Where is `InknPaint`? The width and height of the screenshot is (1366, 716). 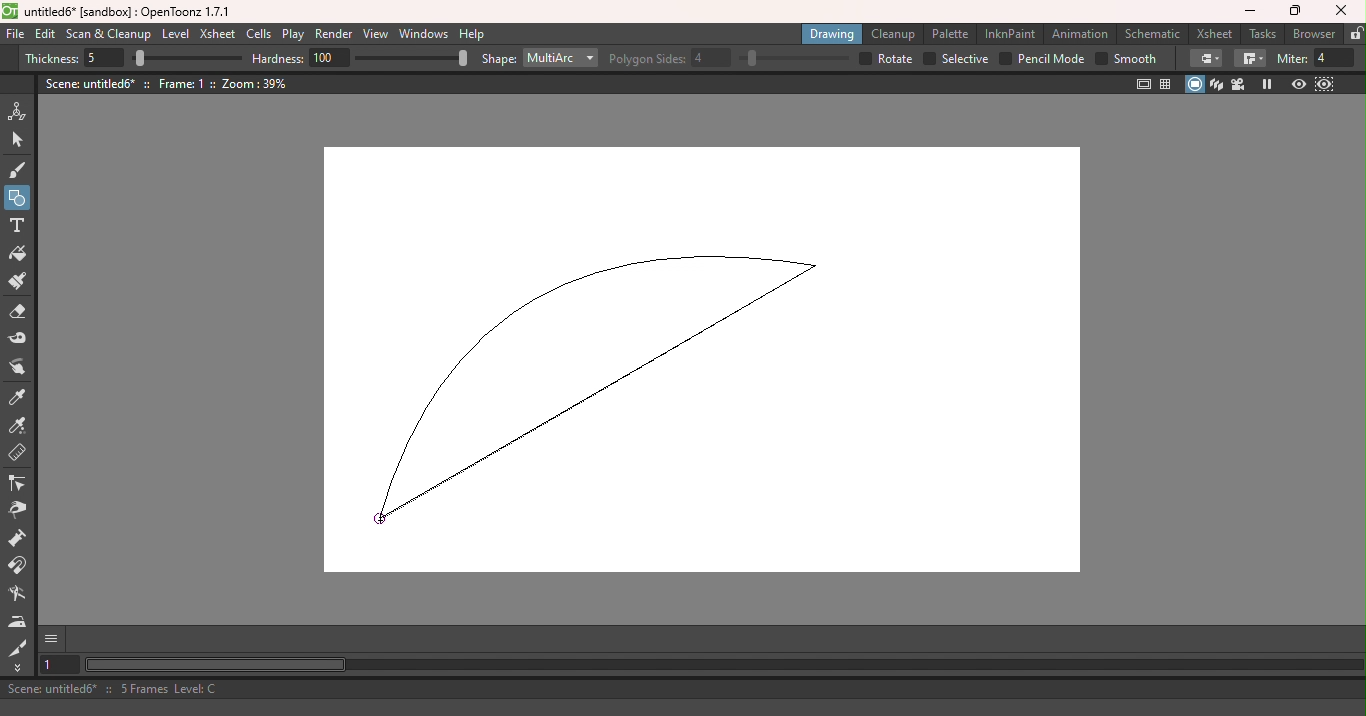
InknPaint is located at coordinates (1010, 34).